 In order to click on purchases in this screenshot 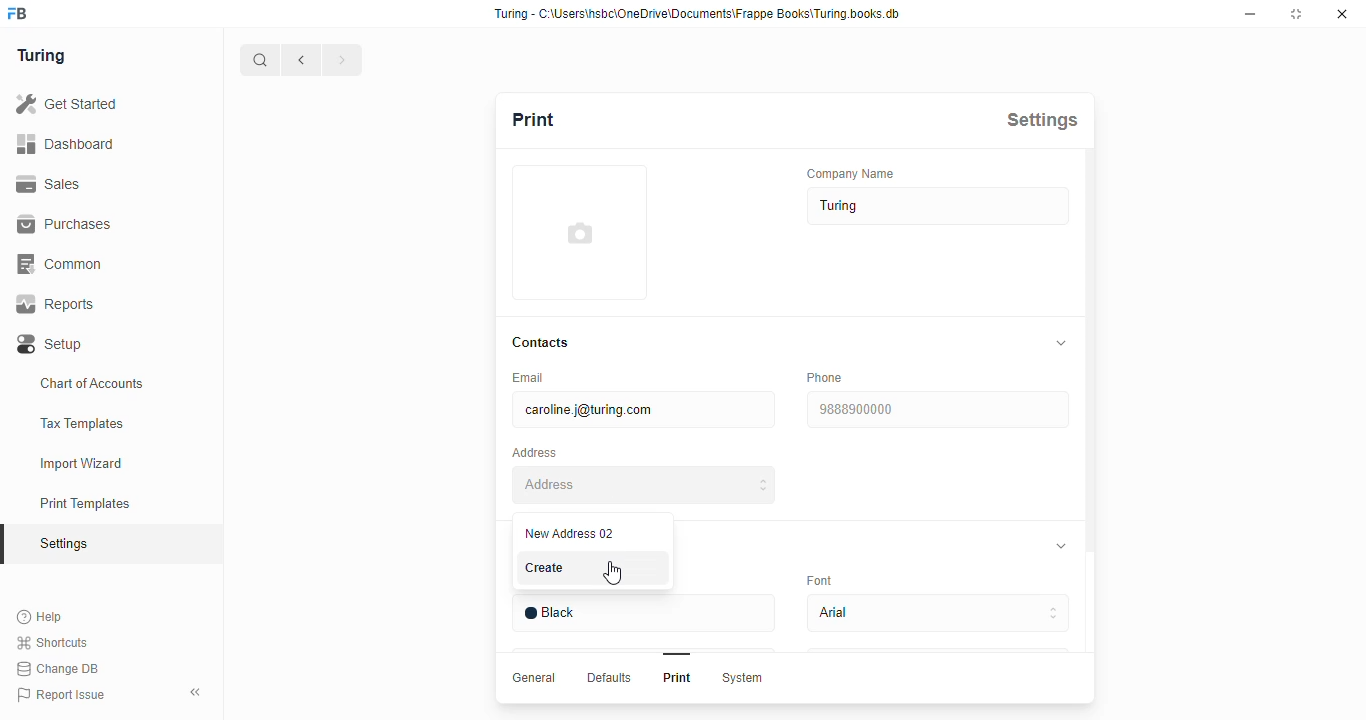, I will do `click(64, 224)`.